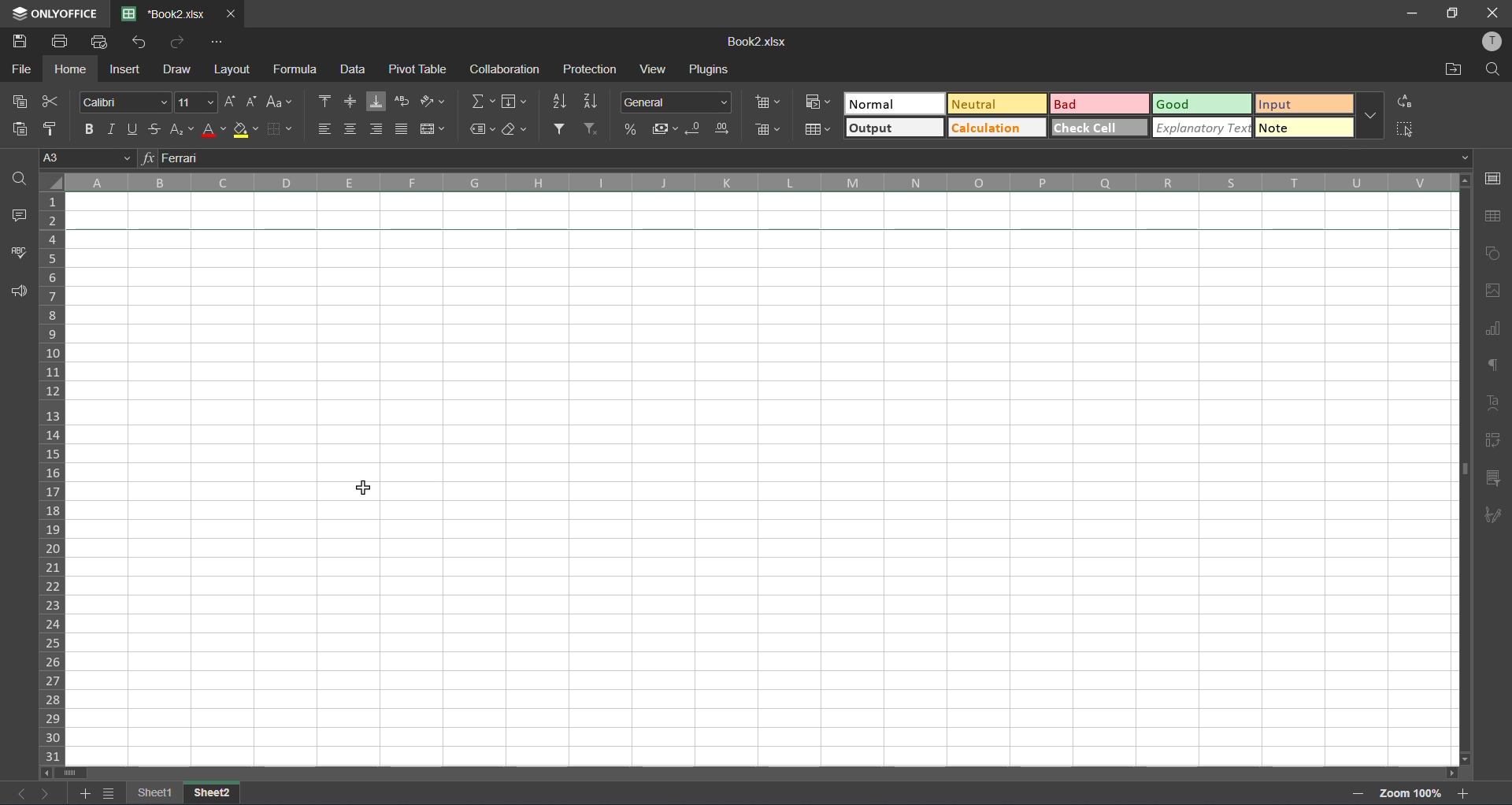 Image resolution: width=1512 pixels, height=805 pixels. Describe the element at coordinates (711, 71) in the screenshot. I see `plugins` at that location.